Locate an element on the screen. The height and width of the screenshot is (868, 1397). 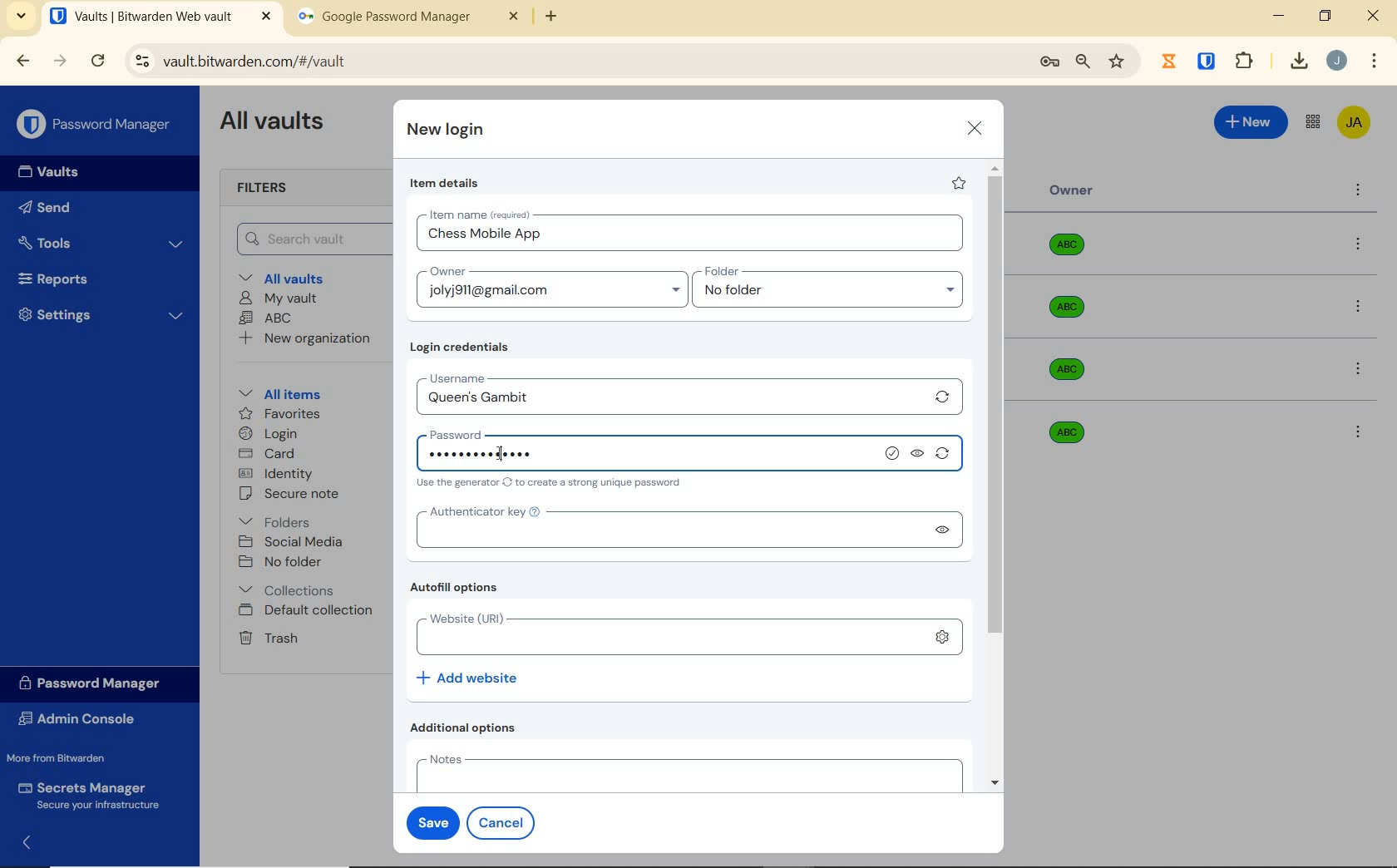
more option is located at coordinates (1359, 191).